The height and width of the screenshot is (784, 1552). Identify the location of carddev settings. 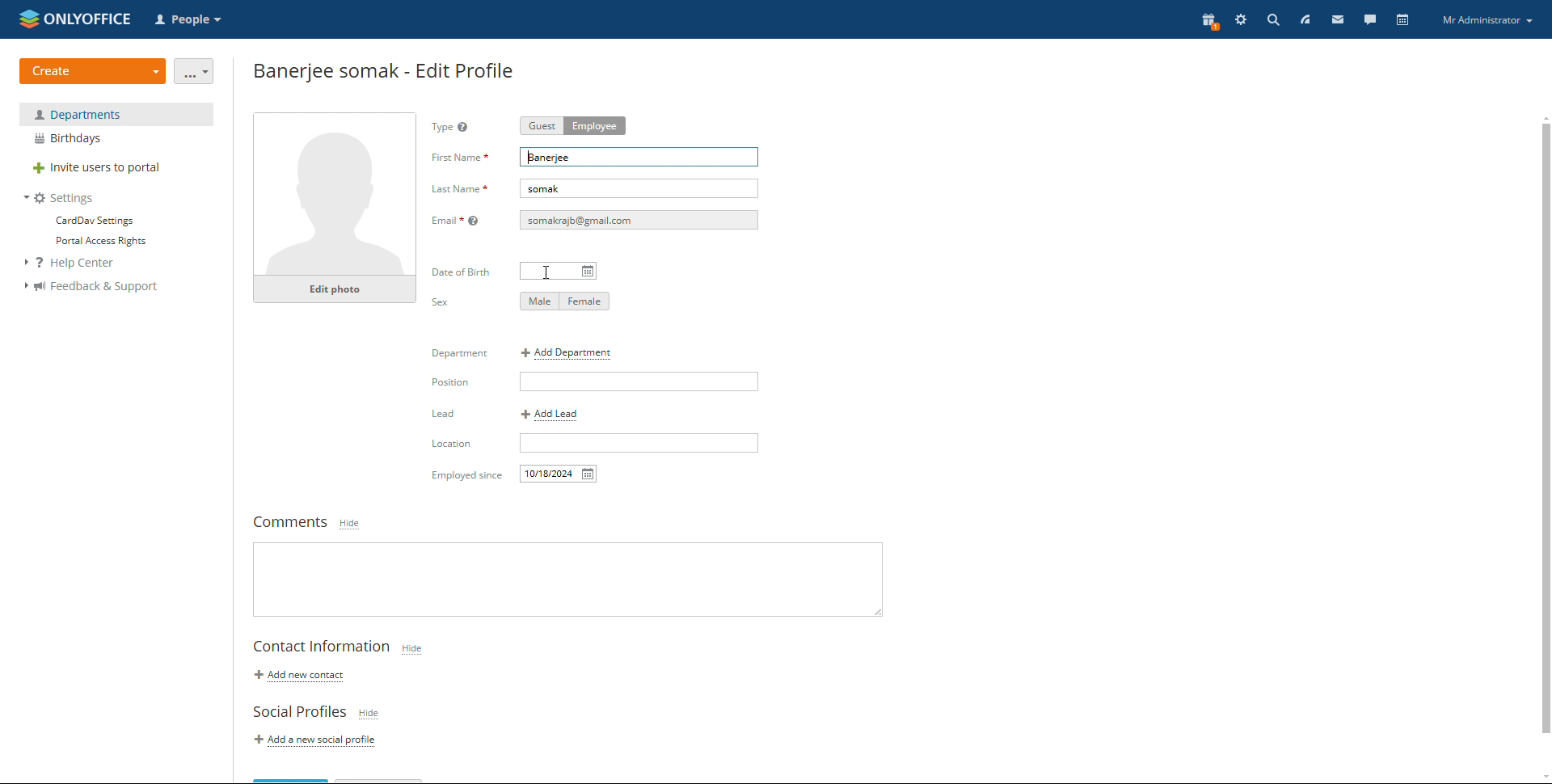
(93, 221).